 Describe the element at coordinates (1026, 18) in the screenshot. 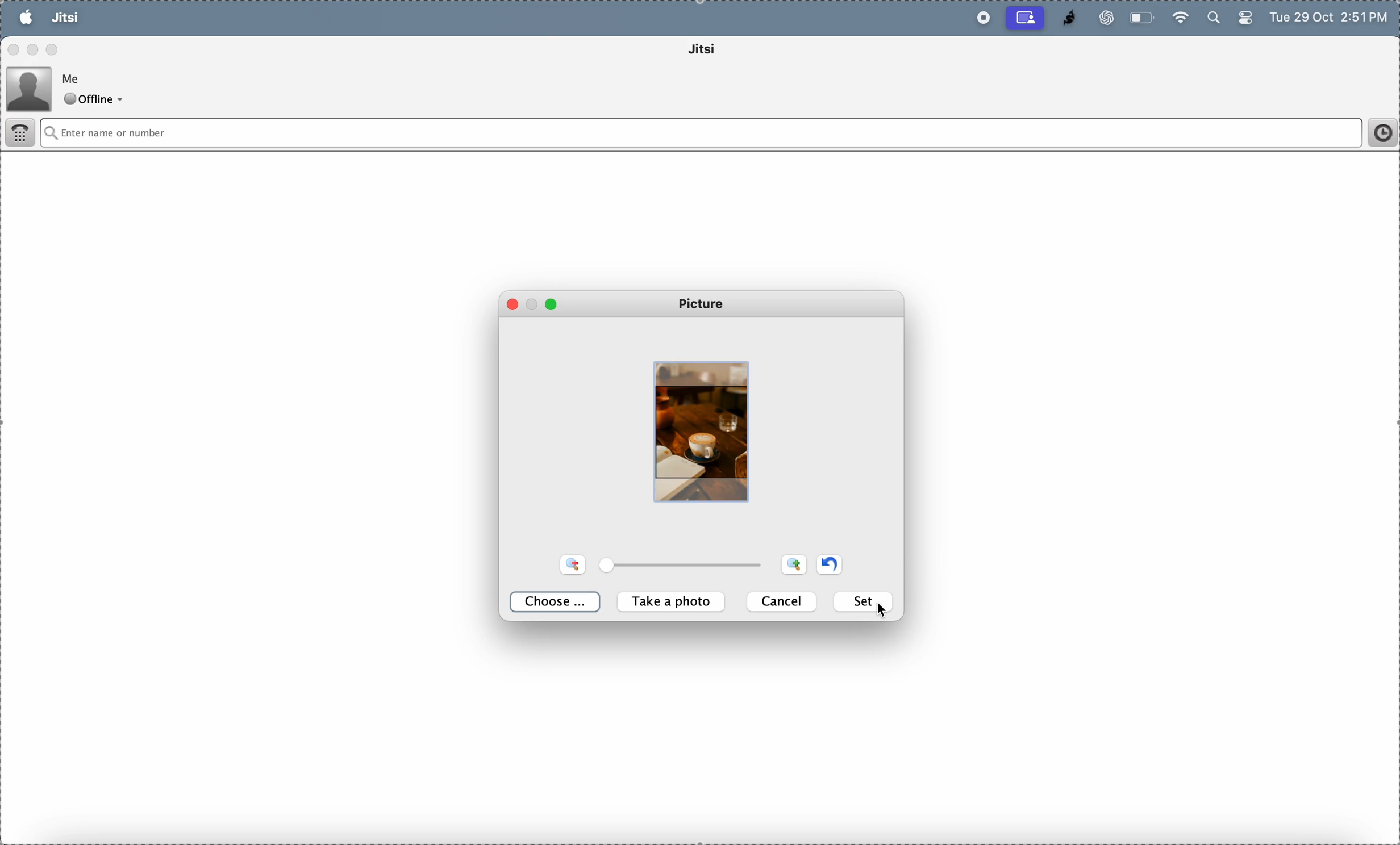

I see `cast` at that location.